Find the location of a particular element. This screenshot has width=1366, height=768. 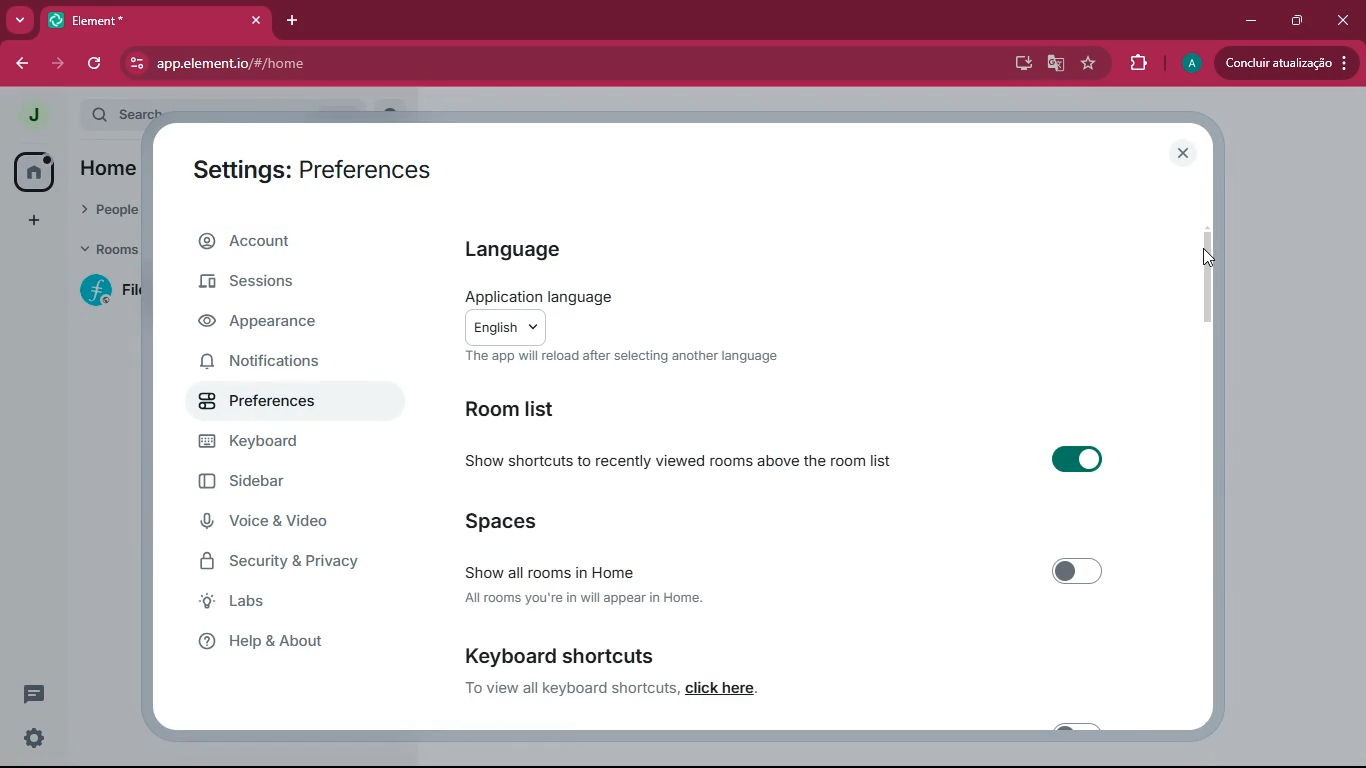

cursor is located at coordinates (1216, 257).